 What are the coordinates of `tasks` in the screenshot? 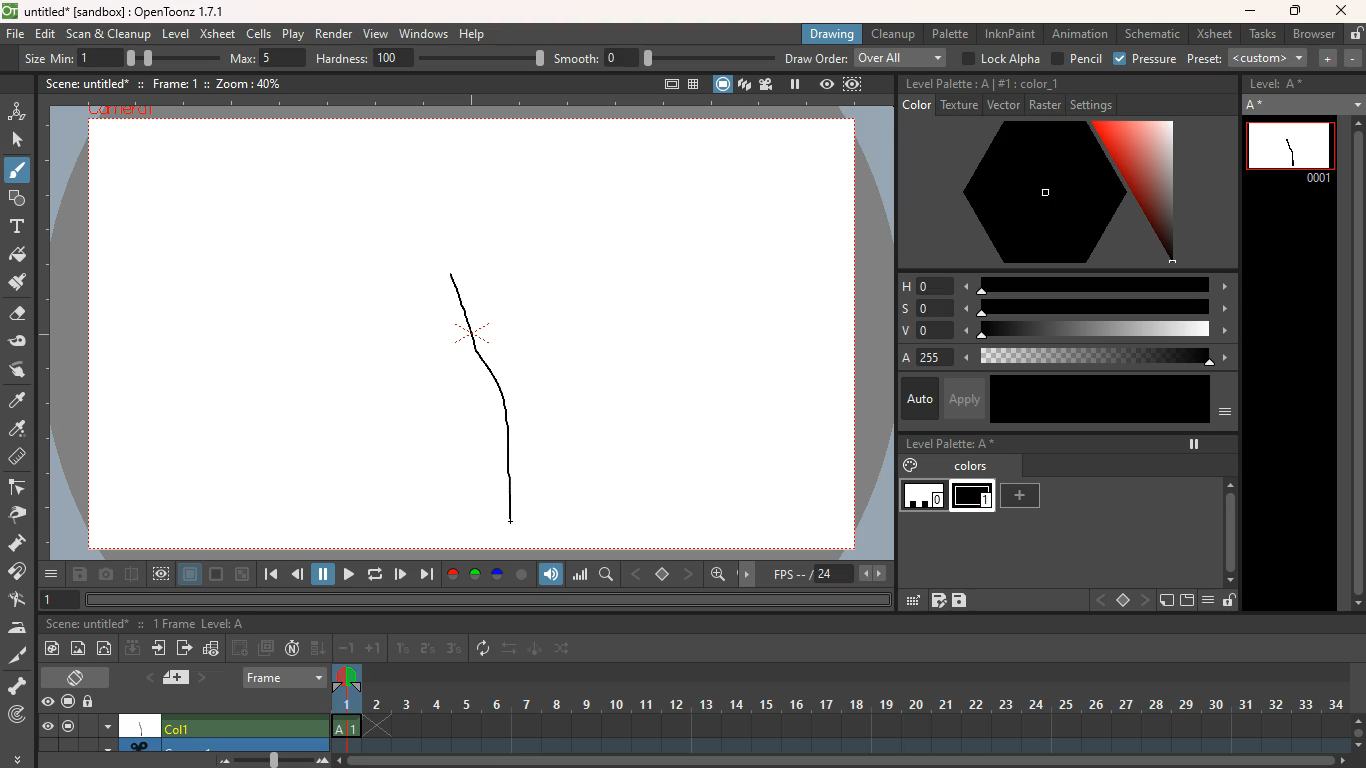 It's located at (1260, 35).